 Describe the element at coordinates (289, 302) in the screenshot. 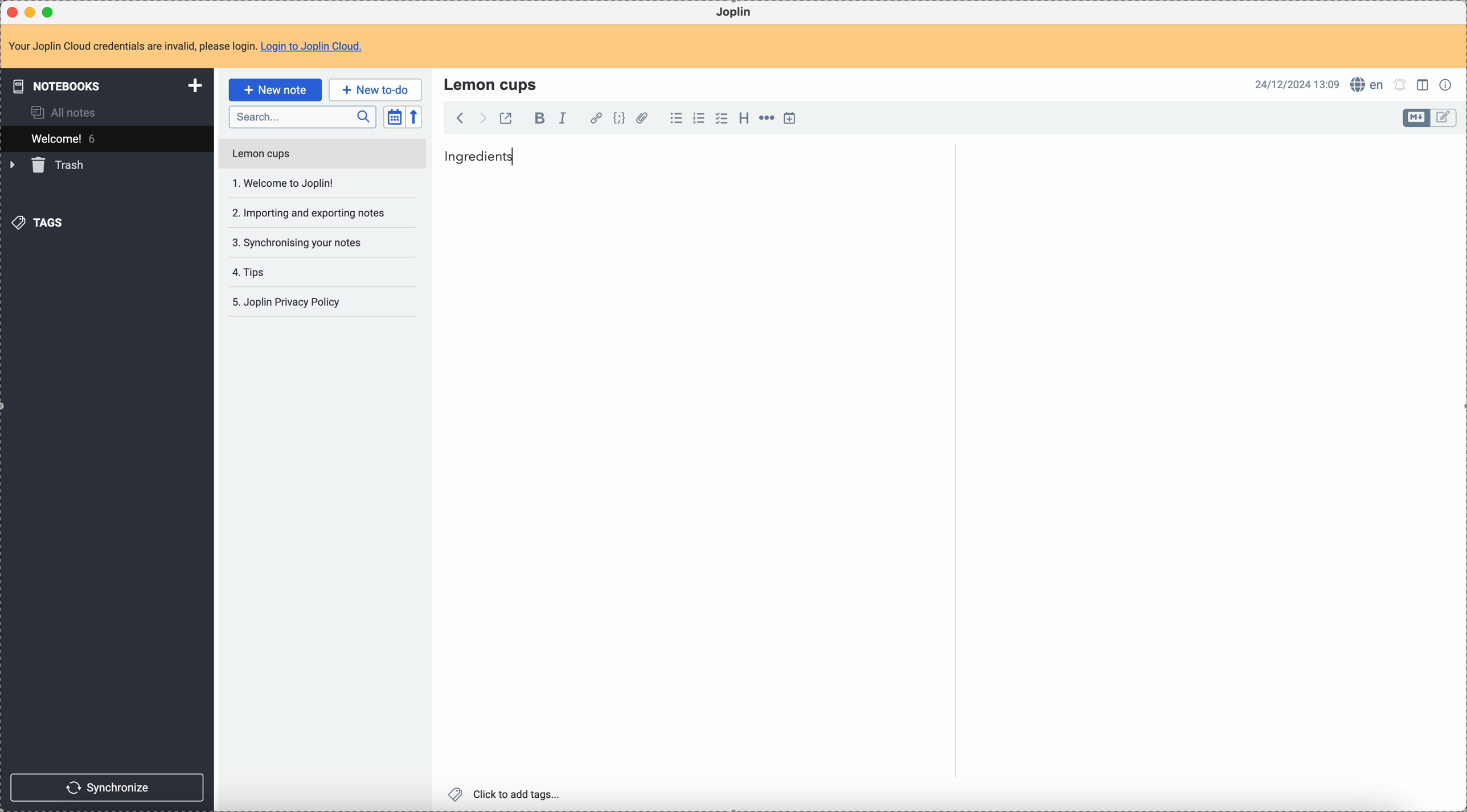

I see `Joplin privacy policy note` at that location.